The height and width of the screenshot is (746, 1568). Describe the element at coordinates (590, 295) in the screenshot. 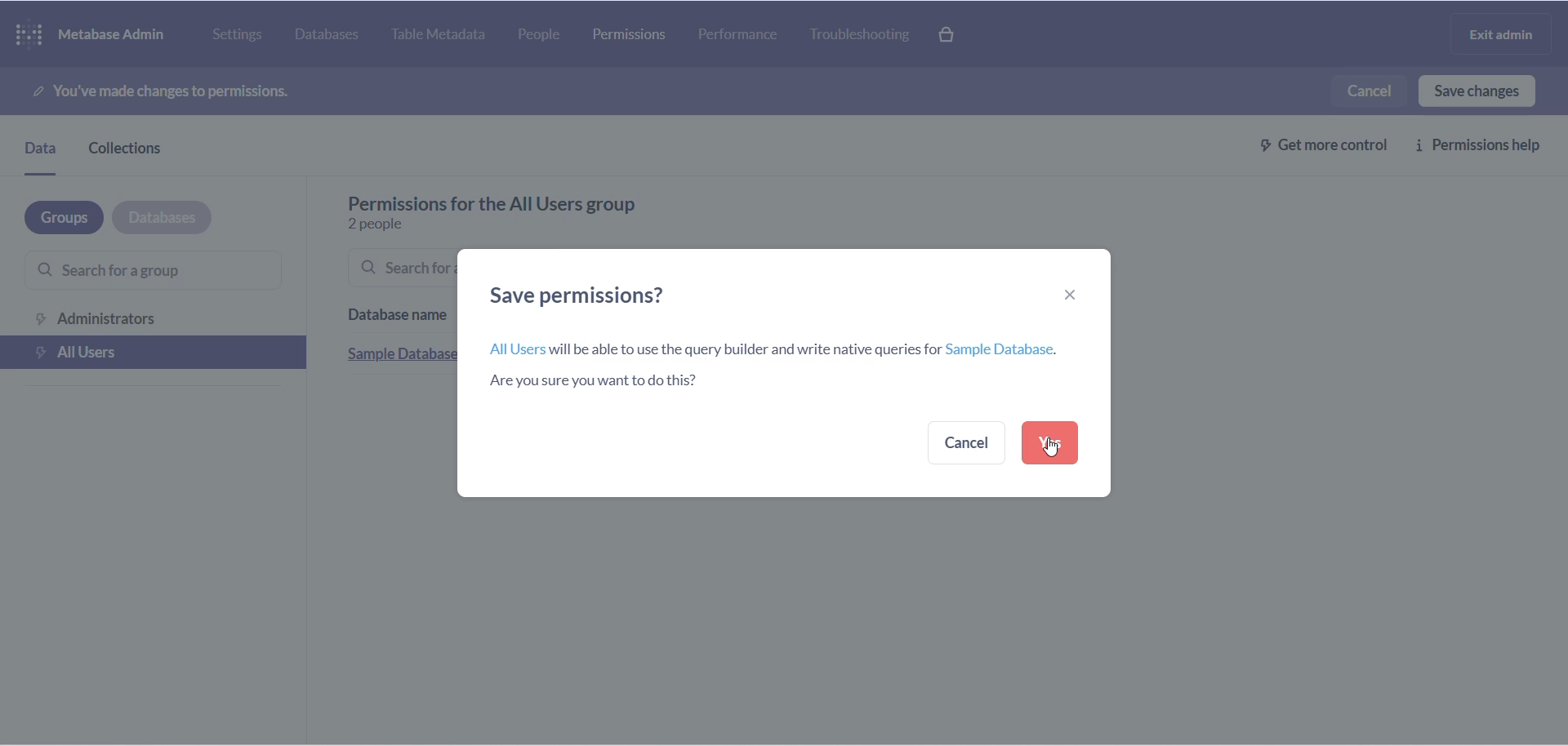

I see `save permission heading` at that location.